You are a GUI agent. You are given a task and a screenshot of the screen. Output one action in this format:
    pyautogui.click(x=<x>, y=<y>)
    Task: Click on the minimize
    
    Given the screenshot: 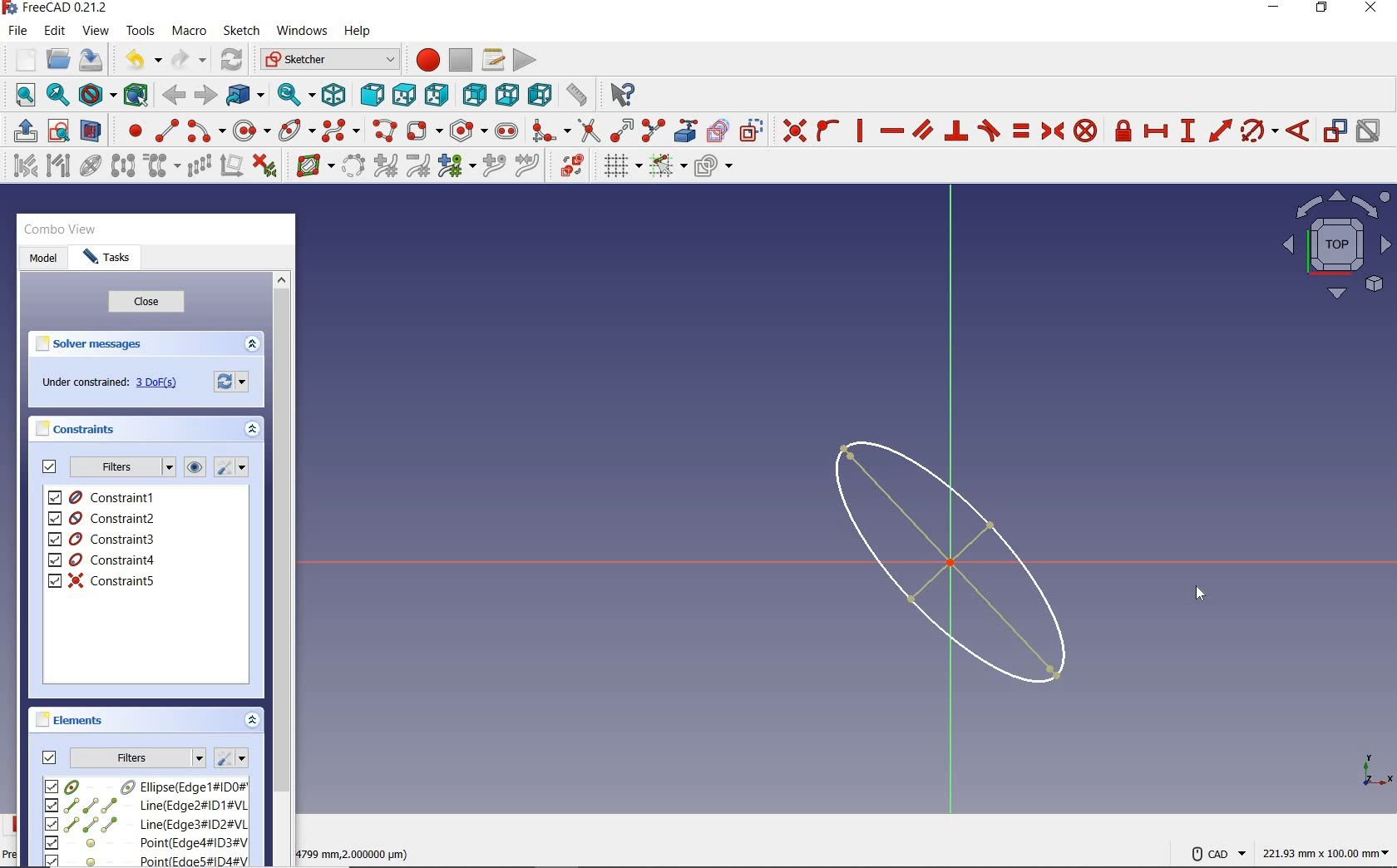 What is the action you would take?
    pyautogui.click(x=1273, y=7)
    